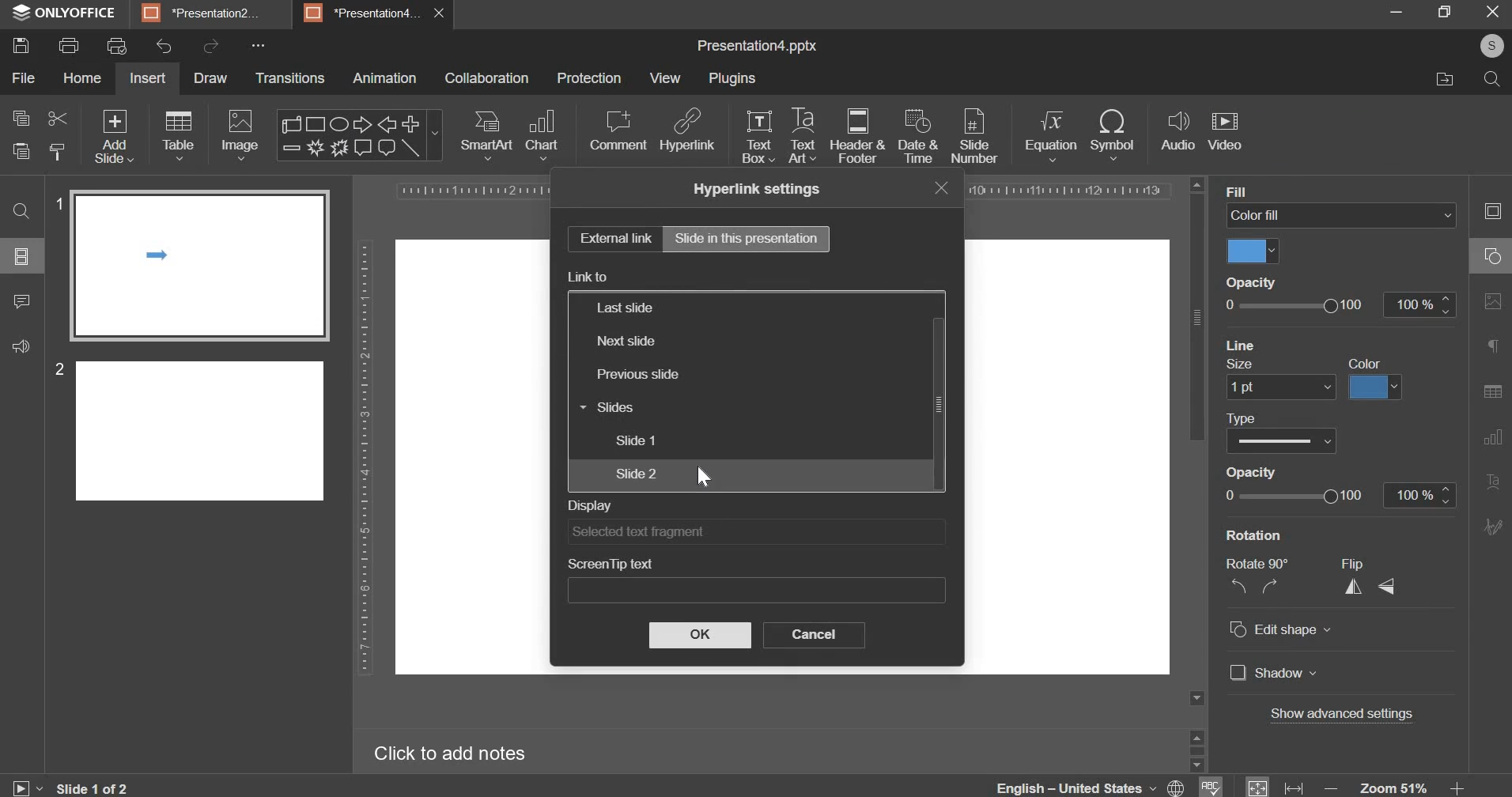 Image resolution: width=1512 pixels, height=797 pixels. What do you see at coordinates (1253, 579) in the screenshot?
I see `Rotate 90°
NZ` at bounding box center [1253, 579].